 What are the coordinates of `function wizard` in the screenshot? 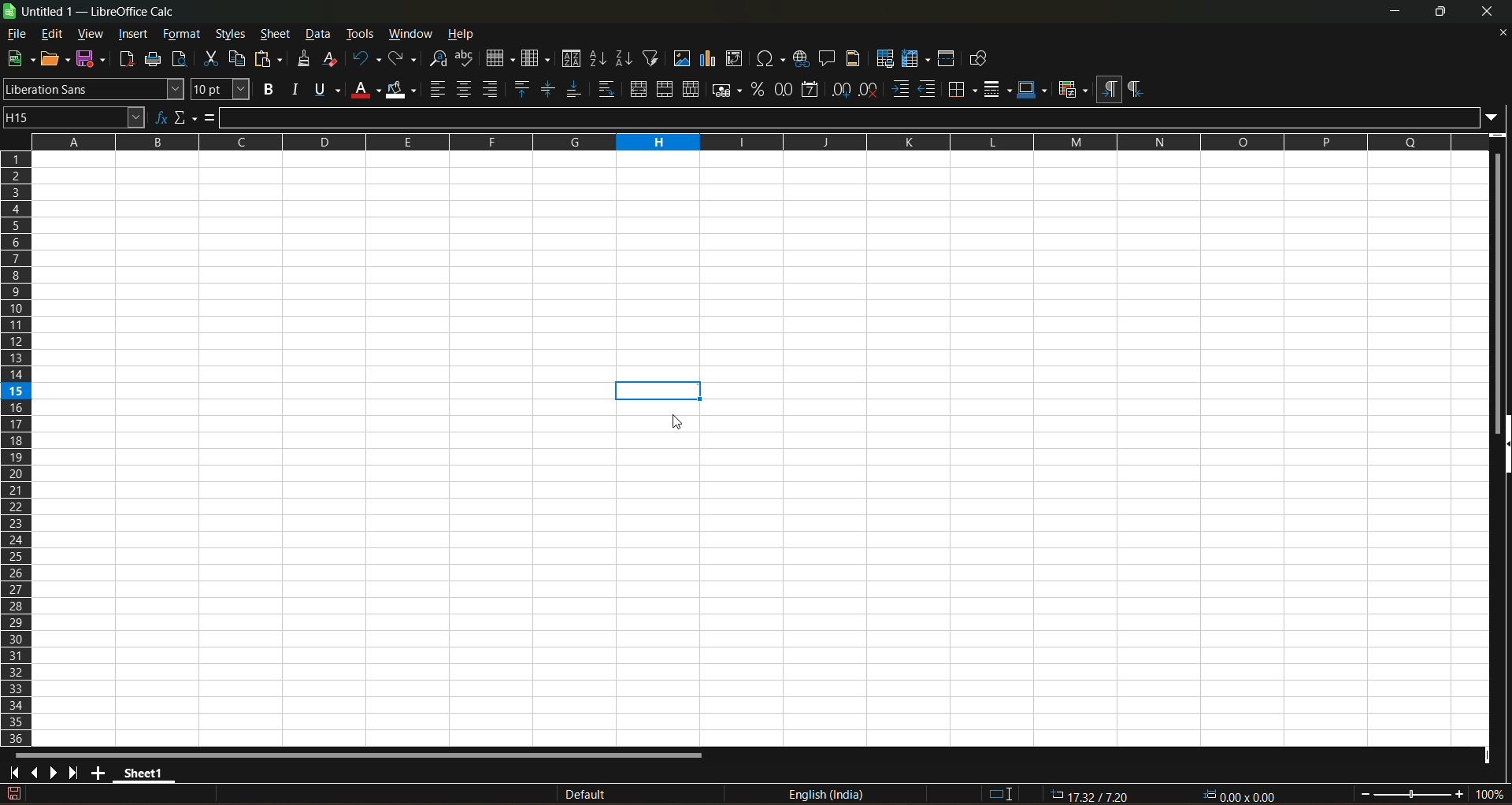 It's located at (161, 117).